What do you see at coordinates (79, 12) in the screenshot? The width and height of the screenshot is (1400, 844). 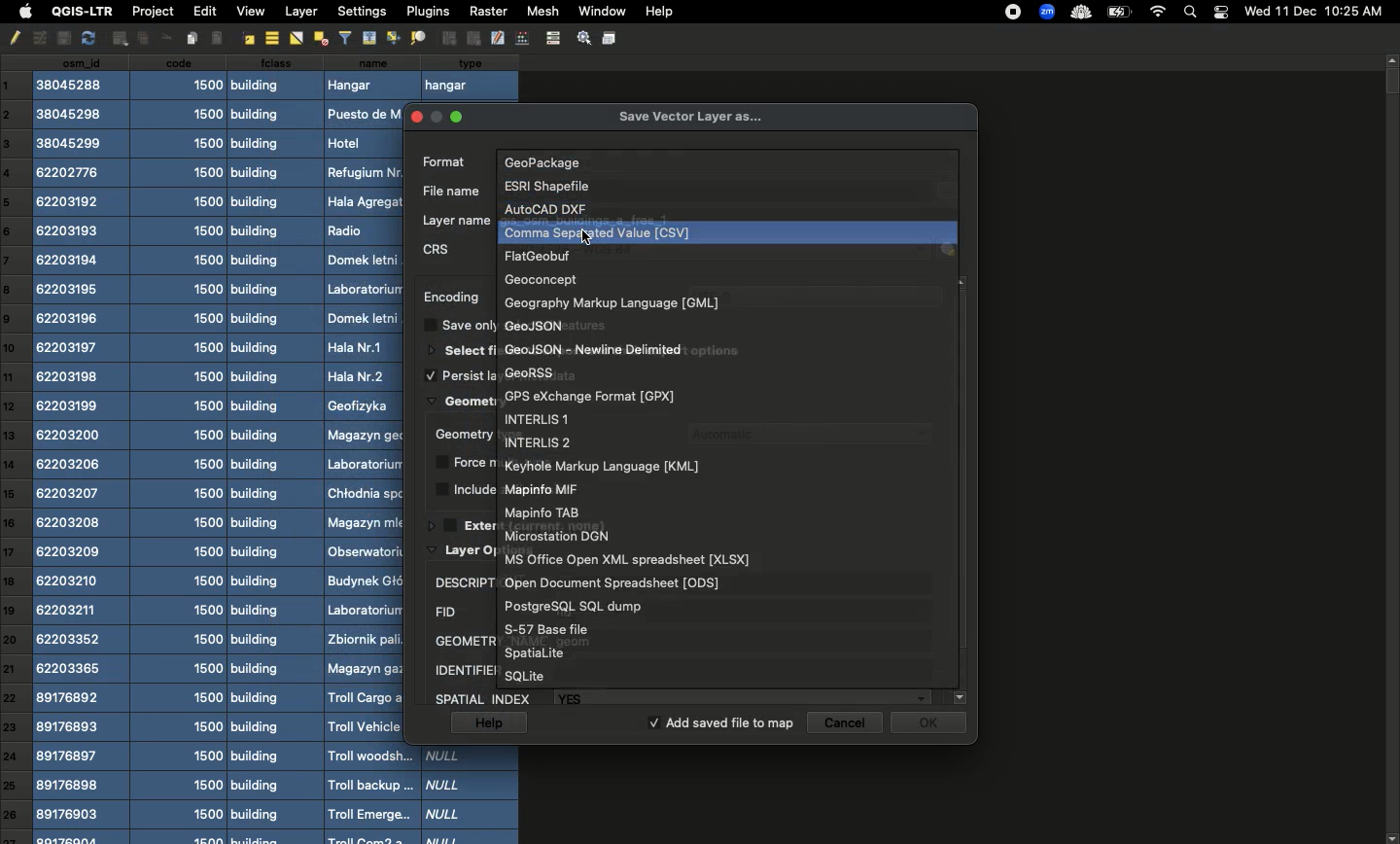 I see `QGIS-LTR` at bounding box center [79, 12].